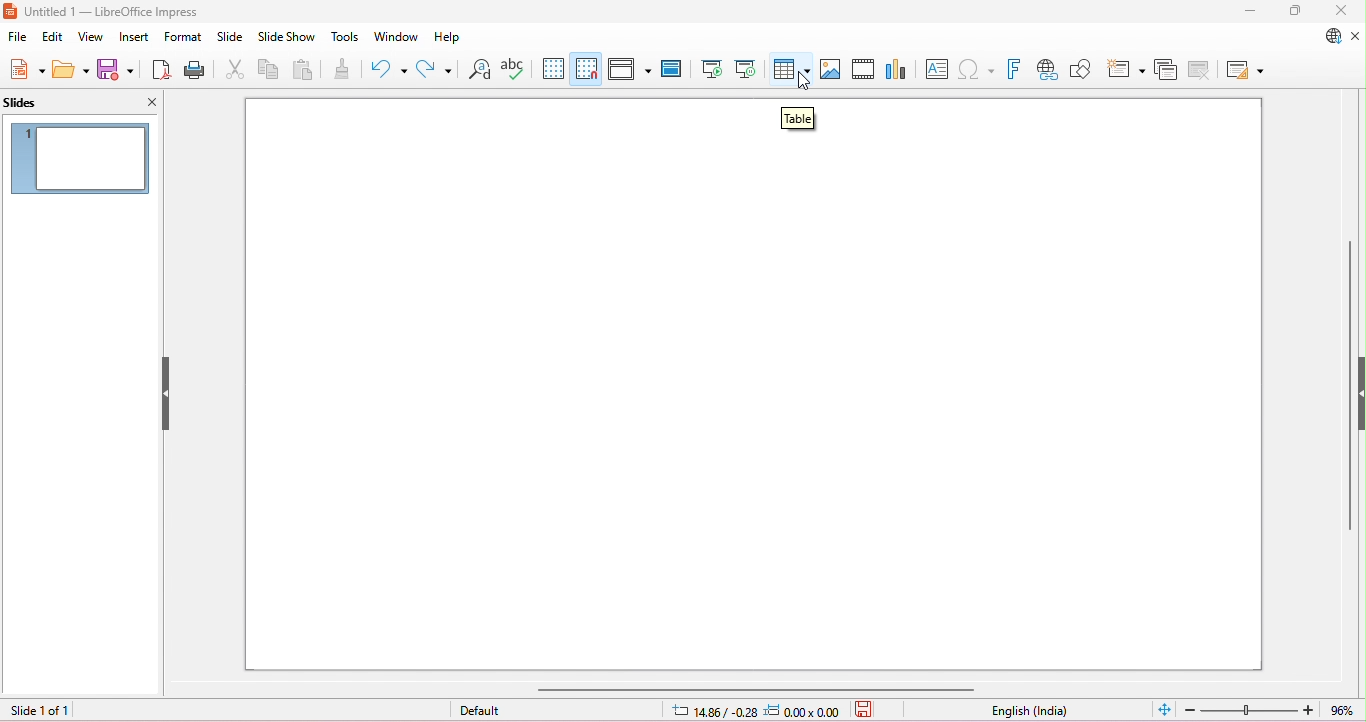  I want to click on print, so click(197, 71).